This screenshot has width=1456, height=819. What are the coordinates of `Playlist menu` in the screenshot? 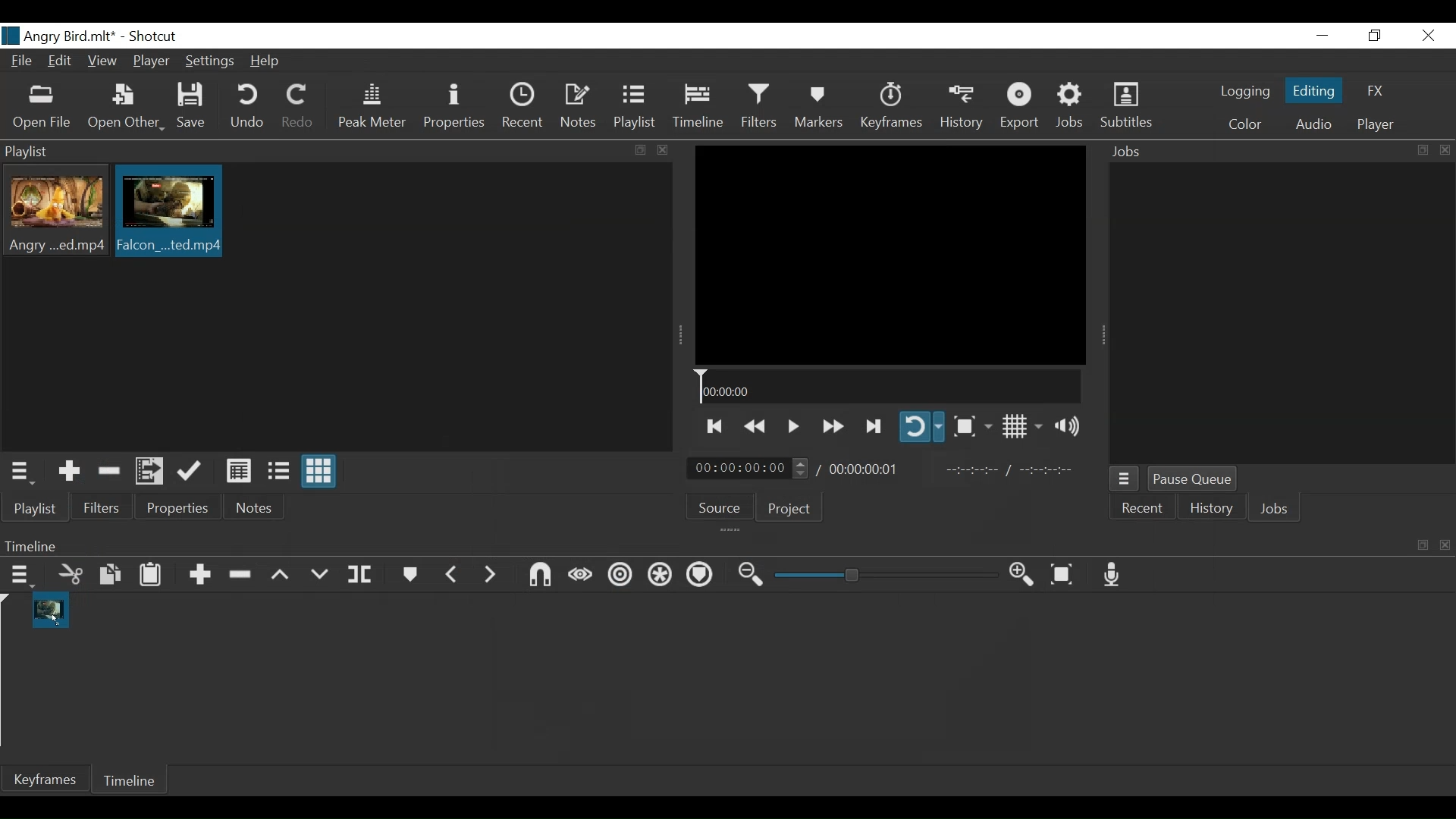 It's located at (24, 472).